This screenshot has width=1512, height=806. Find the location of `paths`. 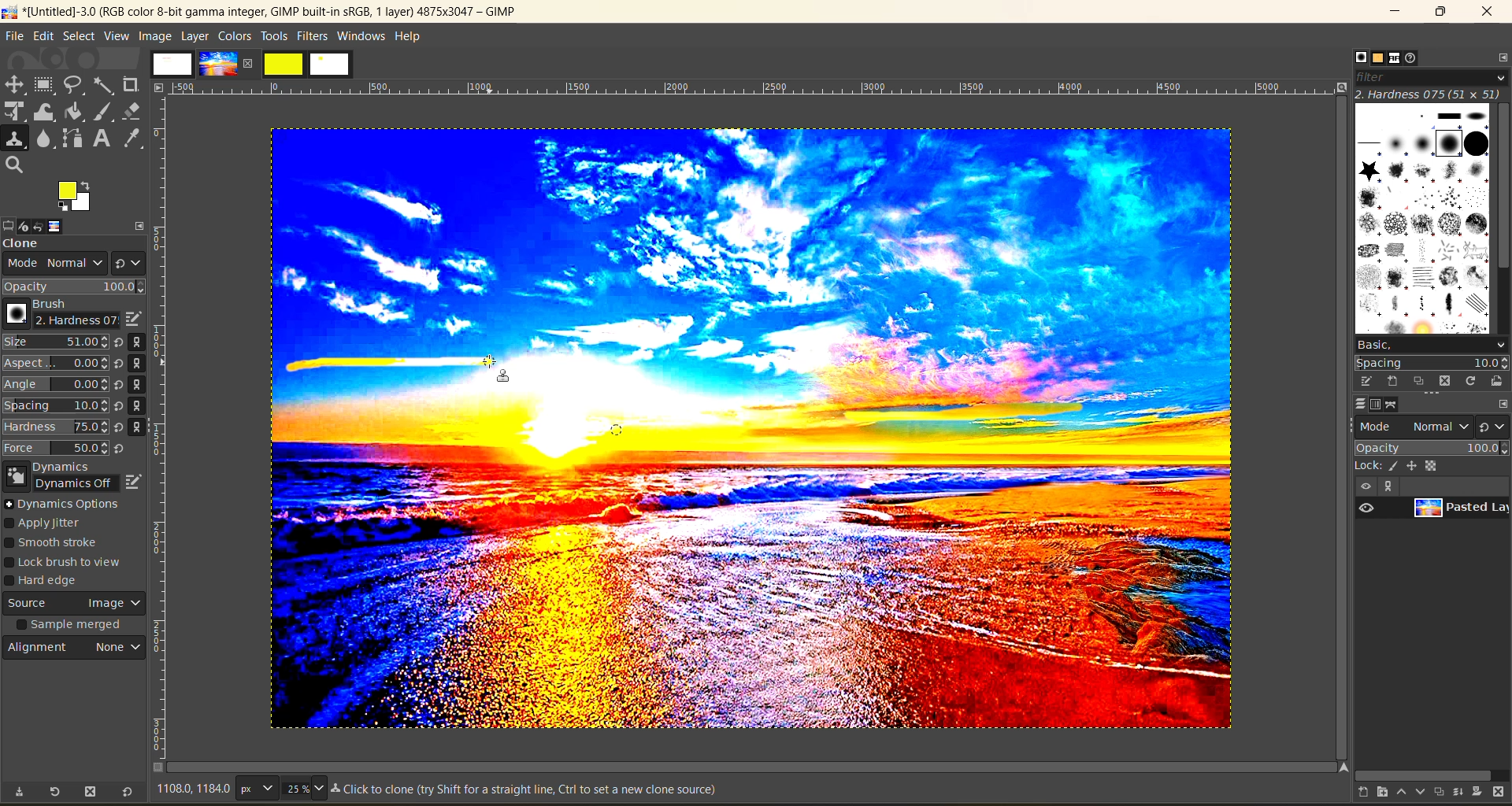

paths is located at coordinates (1399, 405).